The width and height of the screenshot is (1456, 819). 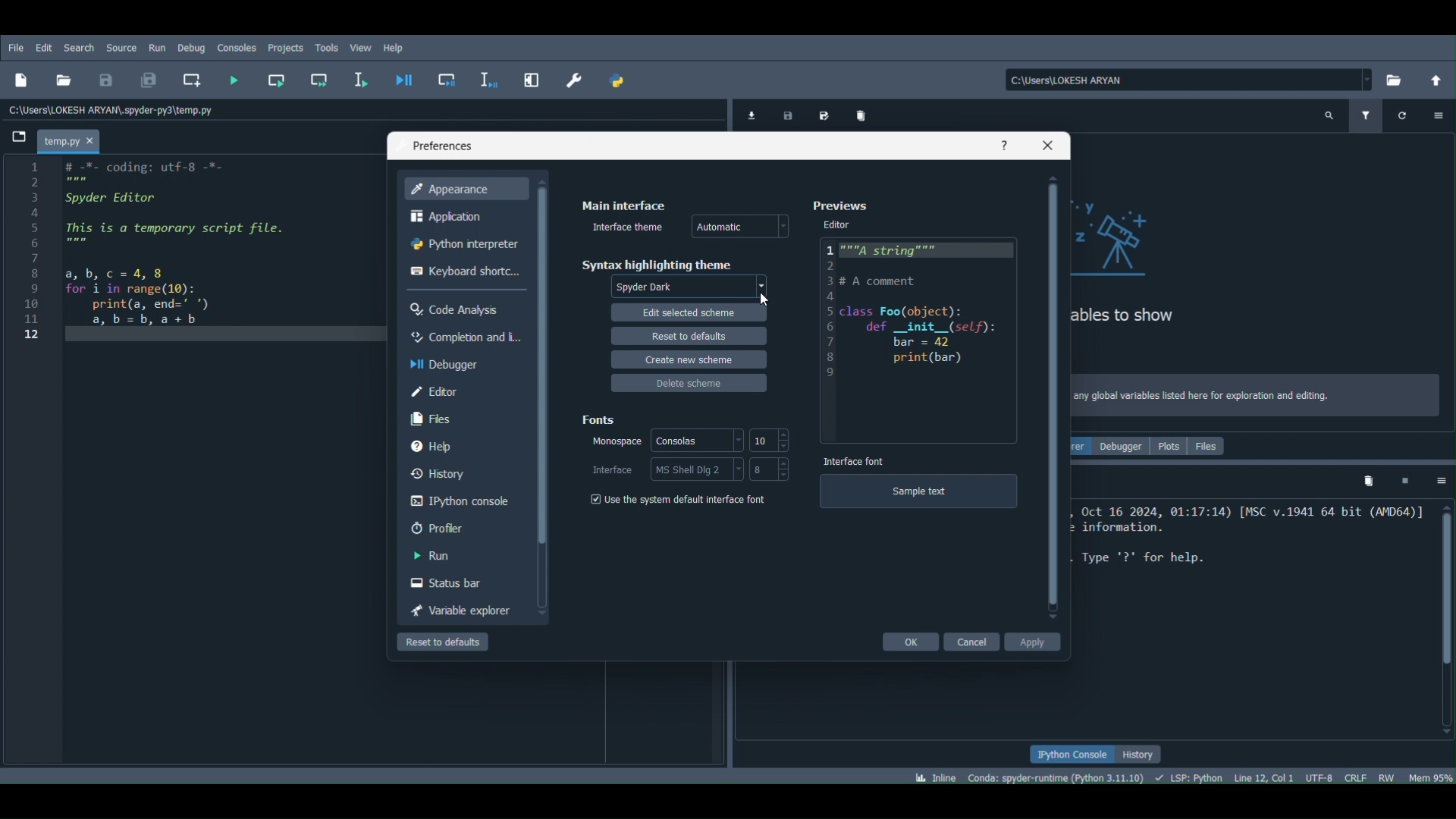 I want to click on Debug cell, so click(x=450, y=79).